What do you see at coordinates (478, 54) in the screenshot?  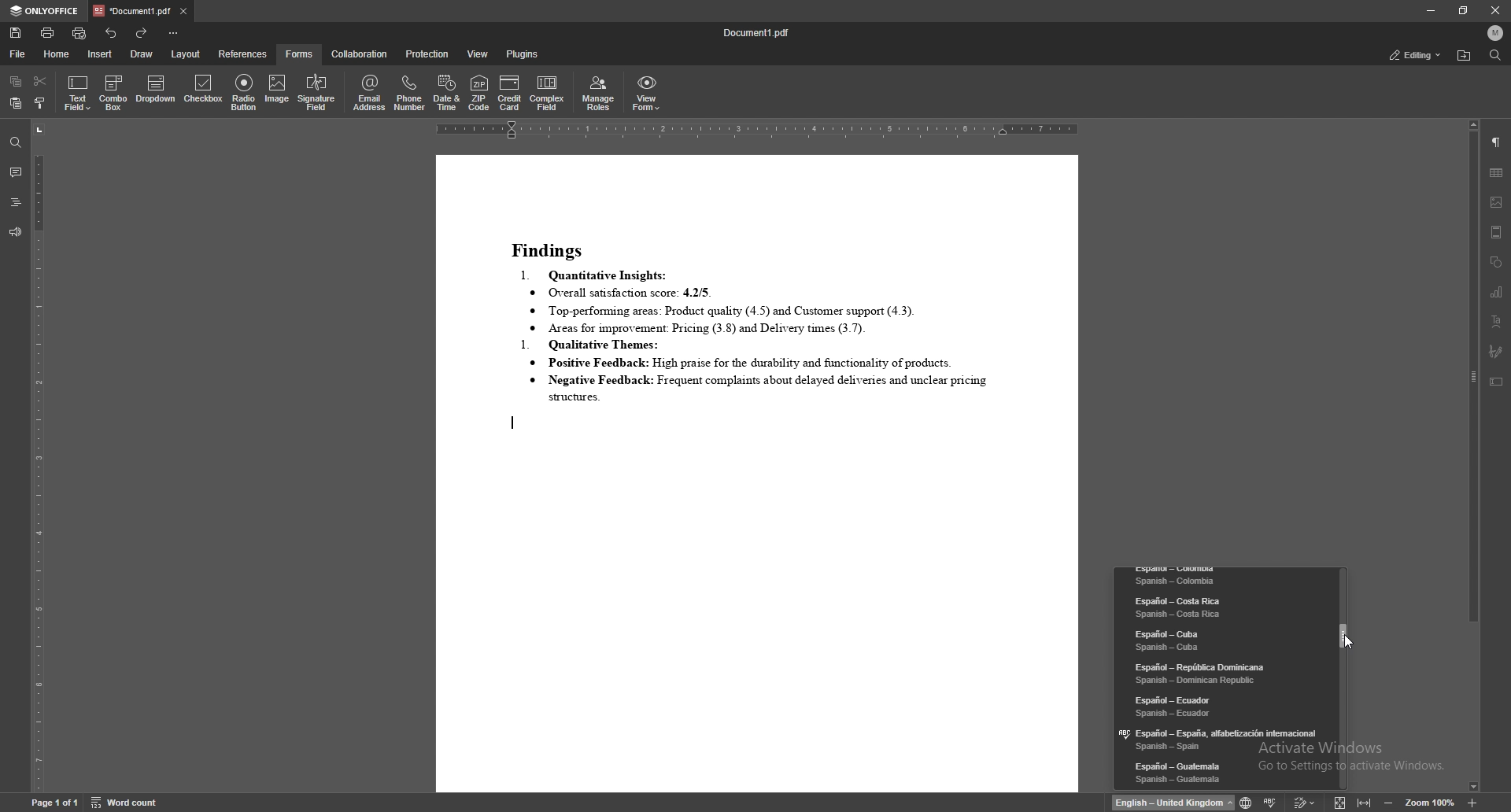 I see `view` at bounding box center [478, 54].